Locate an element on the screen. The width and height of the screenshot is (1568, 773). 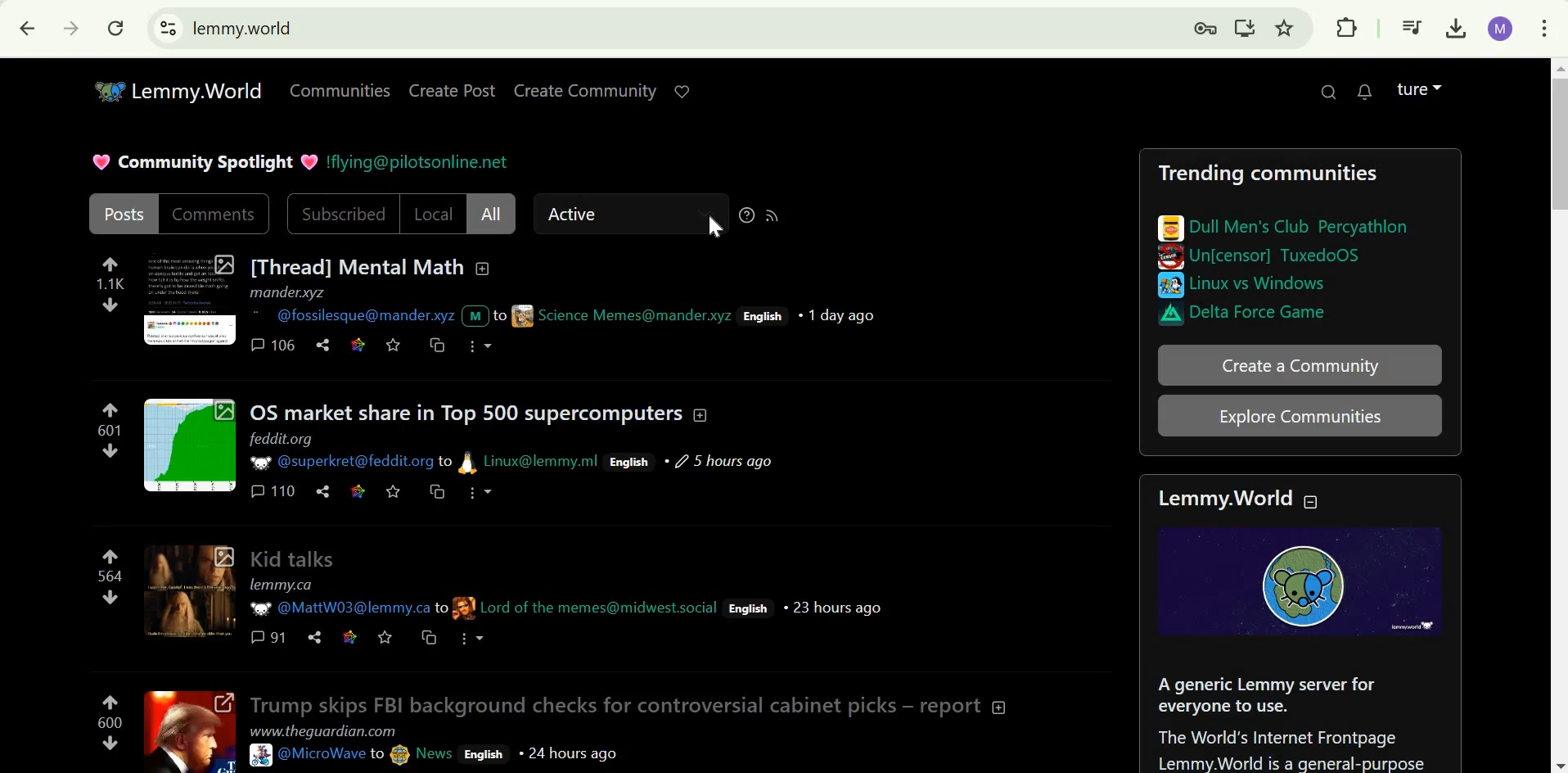
24 hours ago is located at coordinates (568, 751).